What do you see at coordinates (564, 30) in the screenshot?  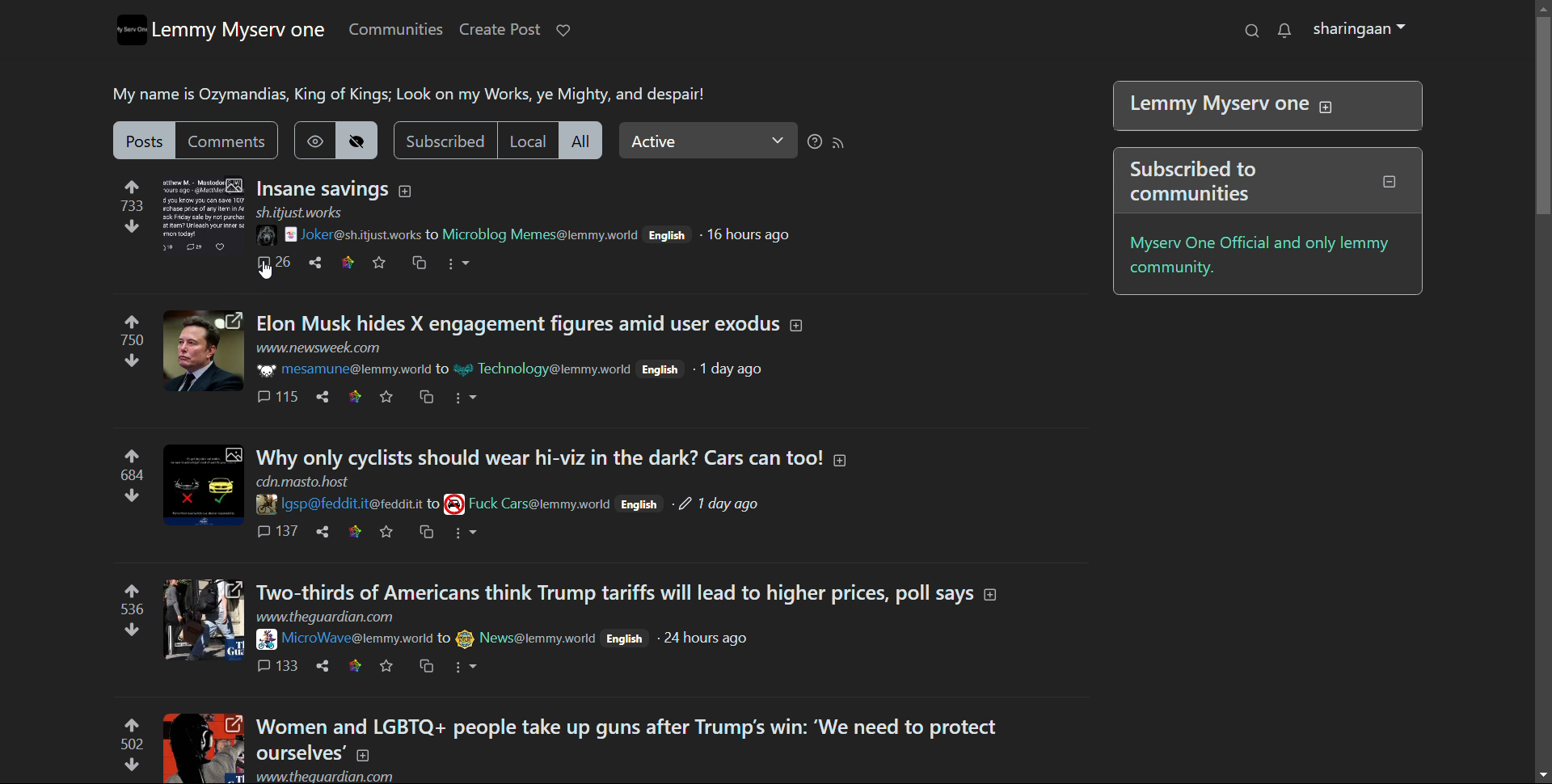 I see `donate to lemmy` at bounding box center [564, 30].